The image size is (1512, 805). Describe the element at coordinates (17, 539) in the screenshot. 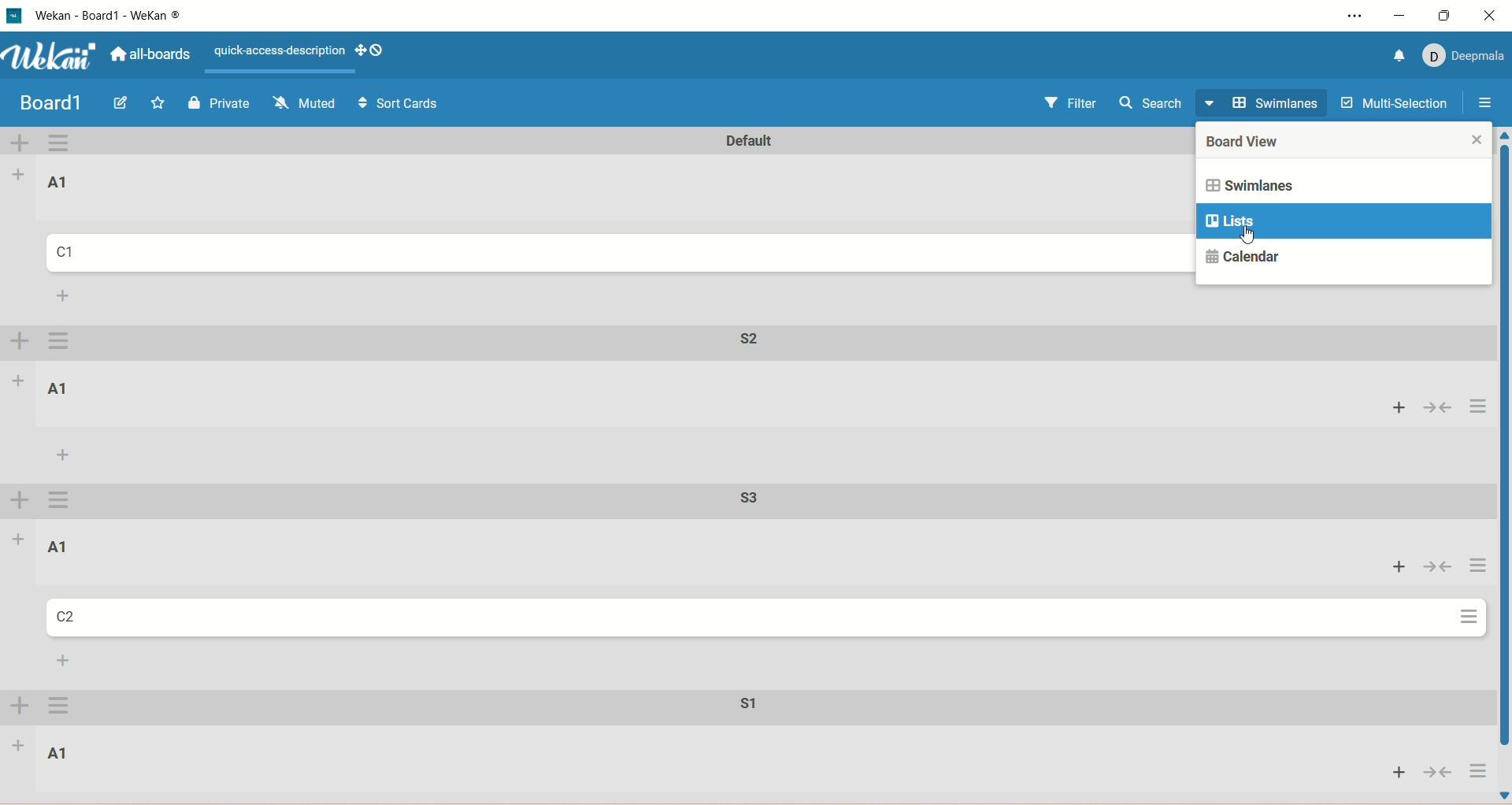

I see `add` at that location.